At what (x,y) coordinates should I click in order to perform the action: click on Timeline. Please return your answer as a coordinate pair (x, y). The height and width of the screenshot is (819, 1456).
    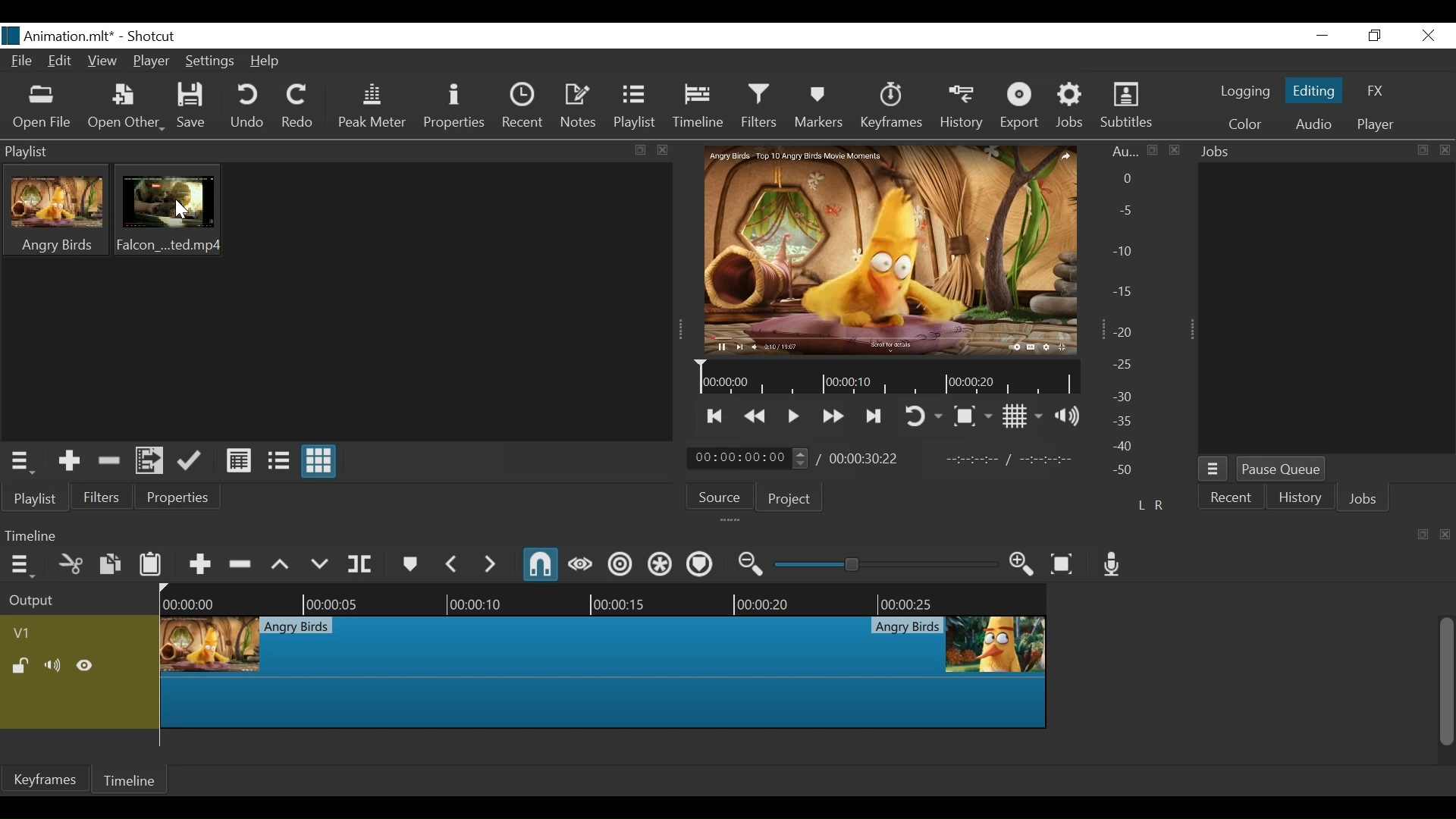
    Looking at the image, I should click on (607, 599).